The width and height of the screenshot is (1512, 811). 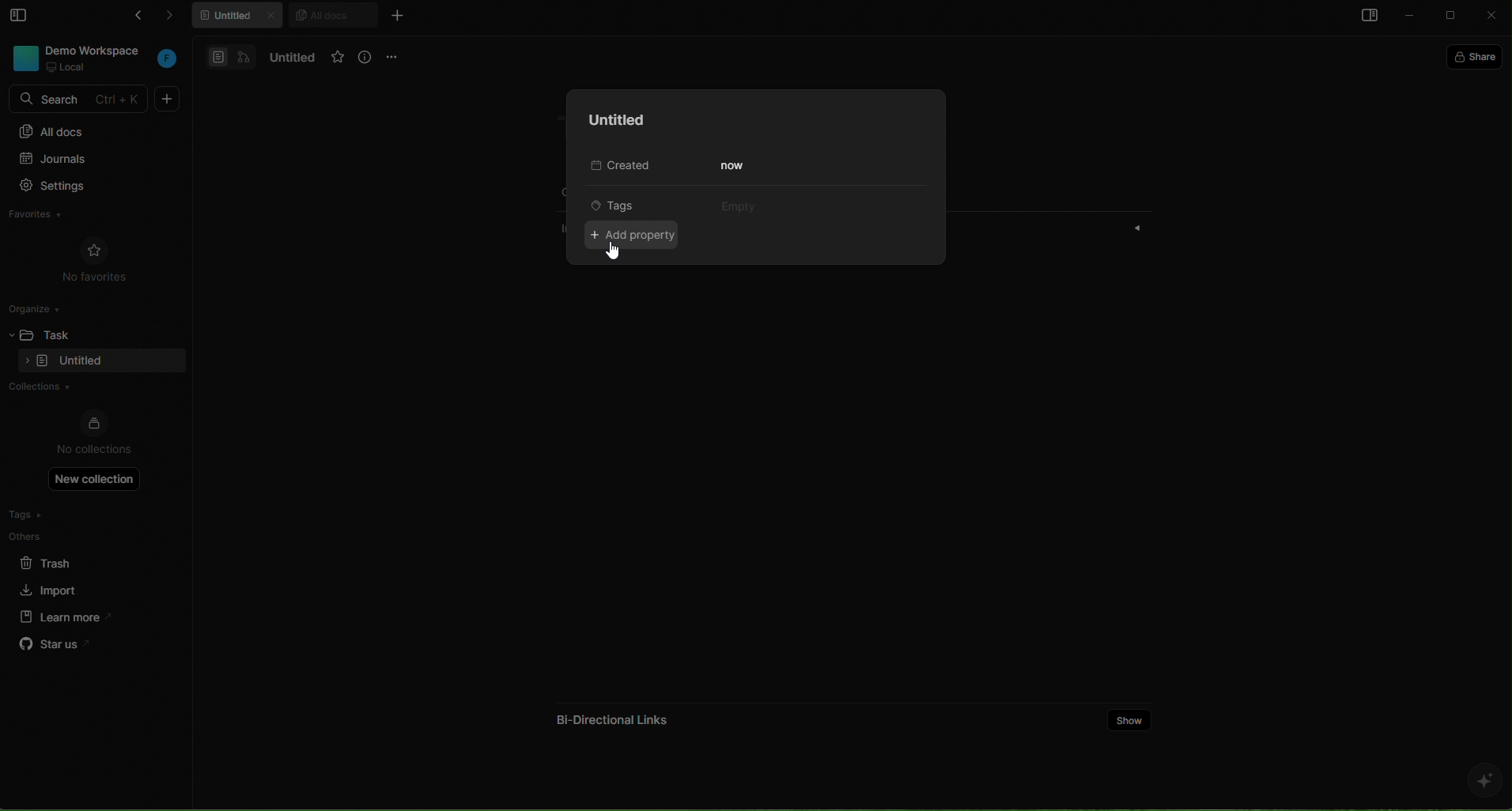 I want to click on trash, so click(x=59, y=560).